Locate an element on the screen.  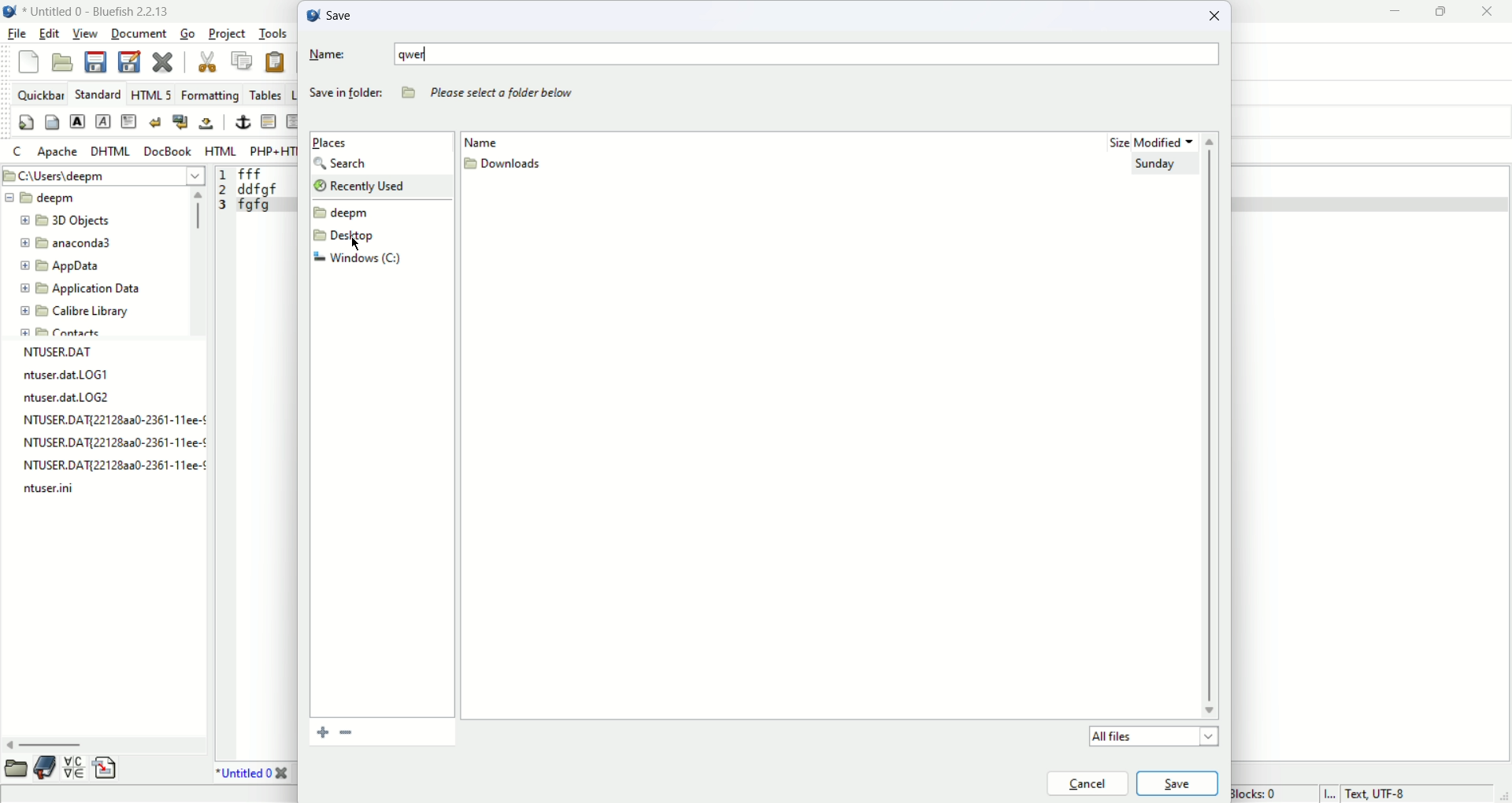
tables is located at coordinates (263, 94).